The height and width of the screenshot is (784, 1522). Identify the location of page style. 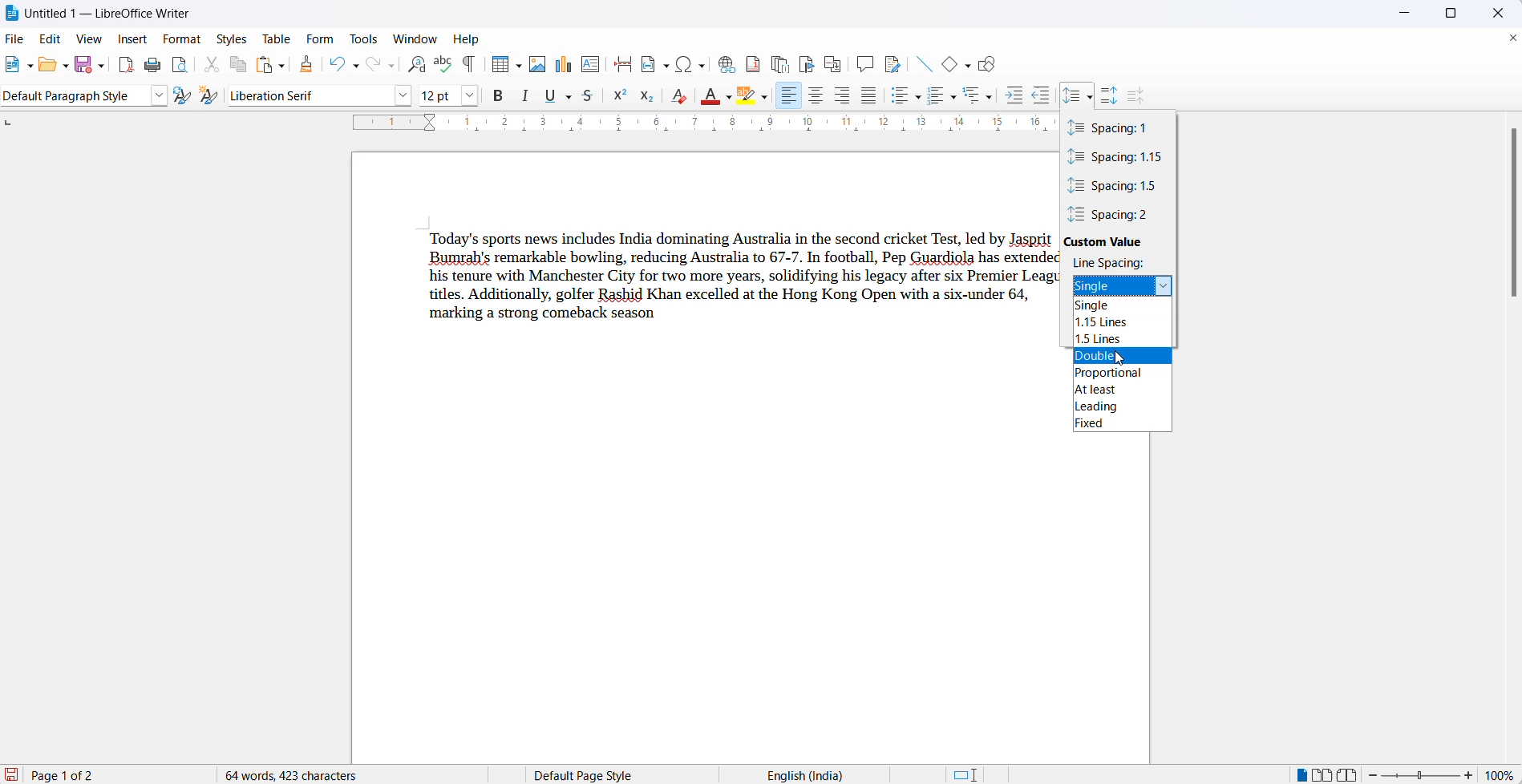
(589, 773).